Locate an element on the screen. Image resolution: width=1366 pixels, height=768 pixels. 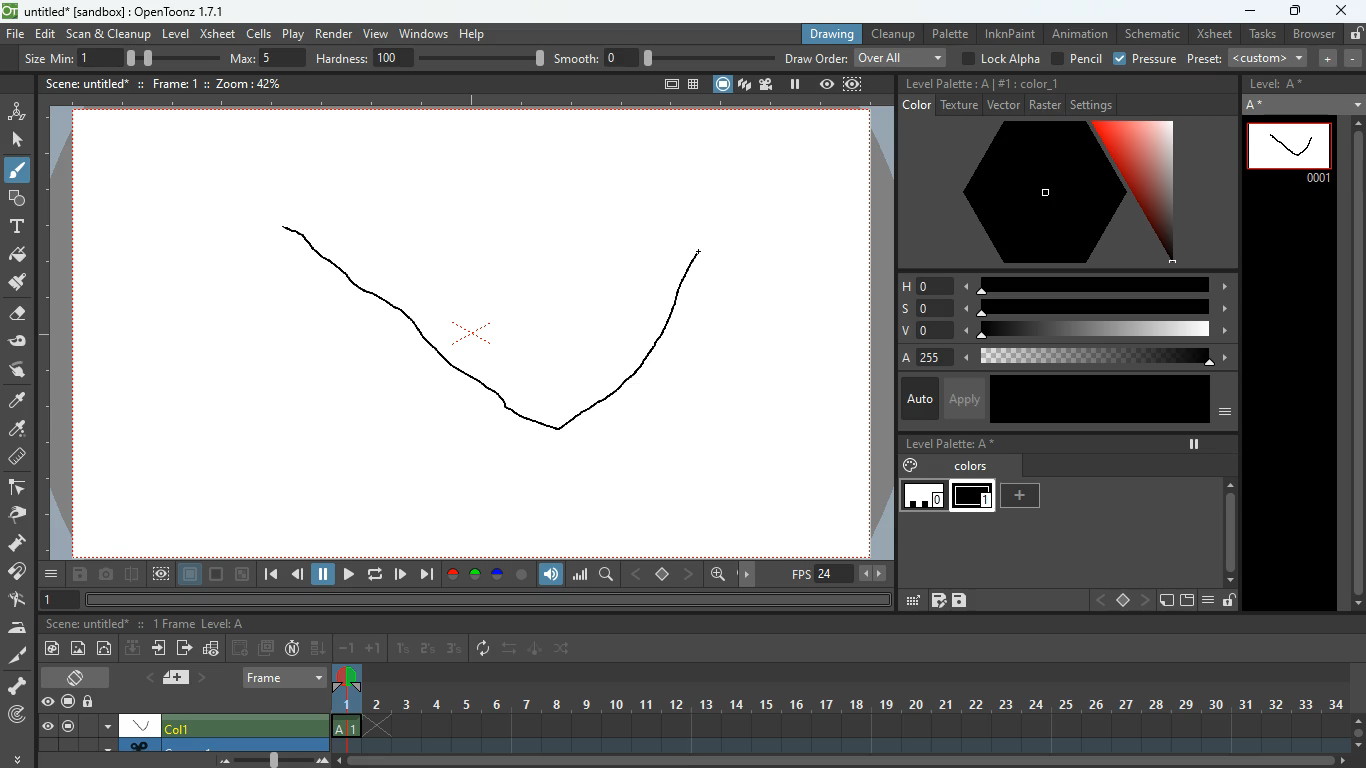
document is located at coordinates (180, 677).